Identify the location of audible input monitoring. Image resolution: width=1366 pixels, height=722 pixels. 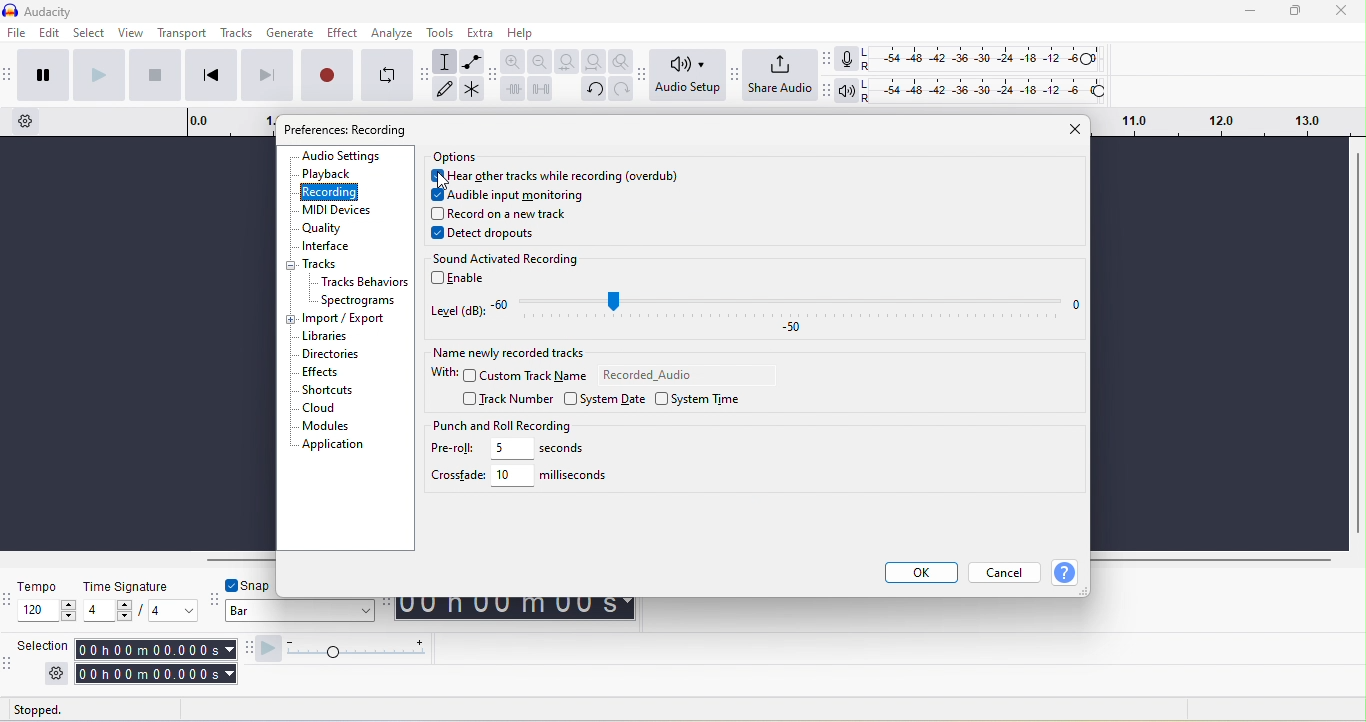
(512, 195).